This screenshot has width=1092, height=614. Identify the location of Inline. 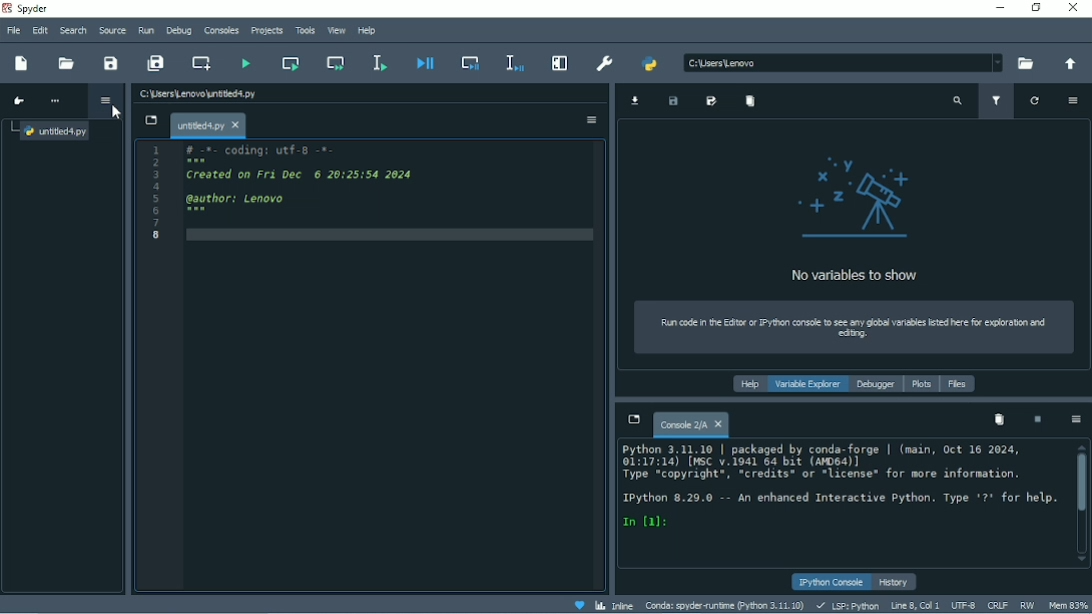
(614, 605).